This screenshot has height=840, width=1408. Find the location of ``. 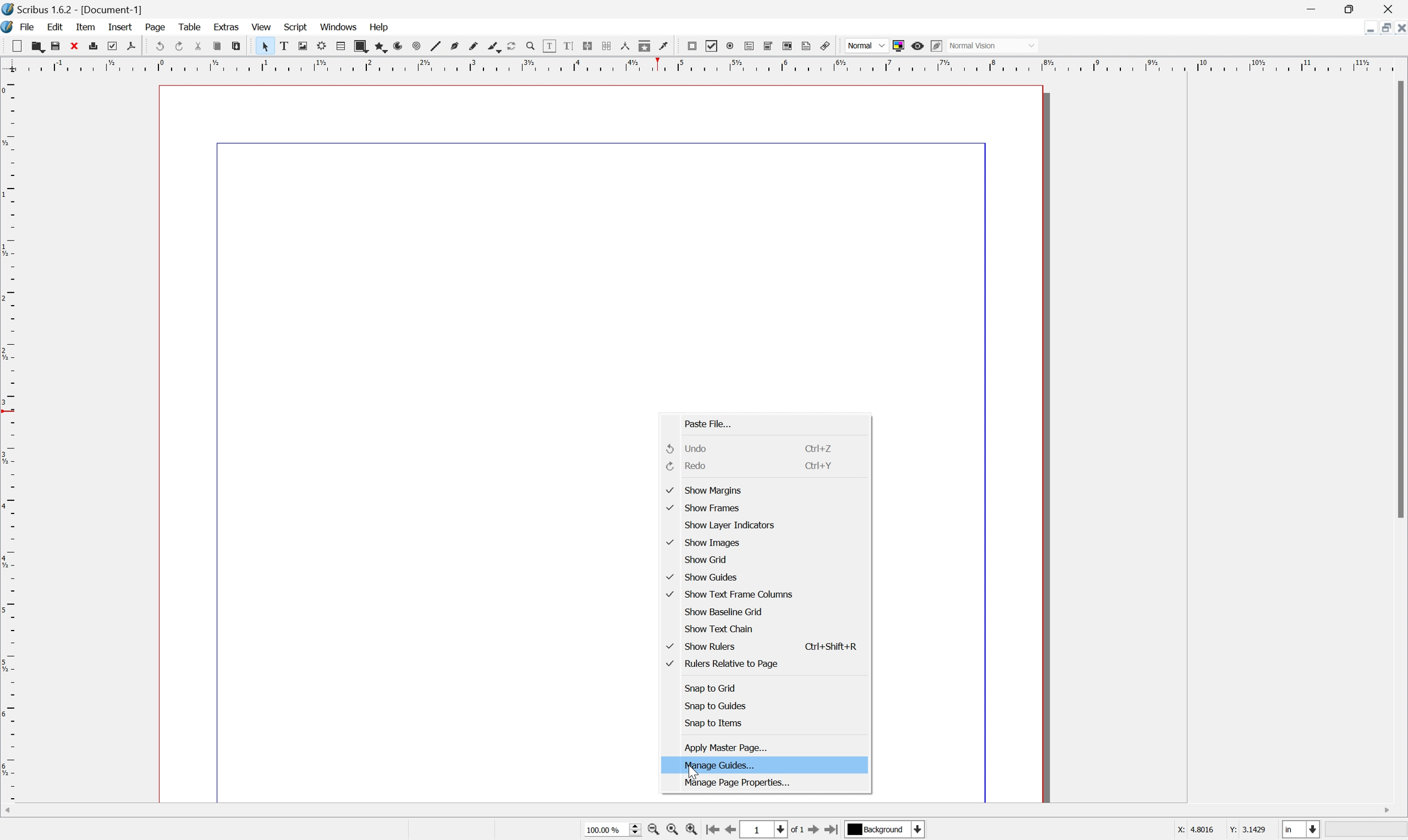

 is located at coordinates (751, 46).